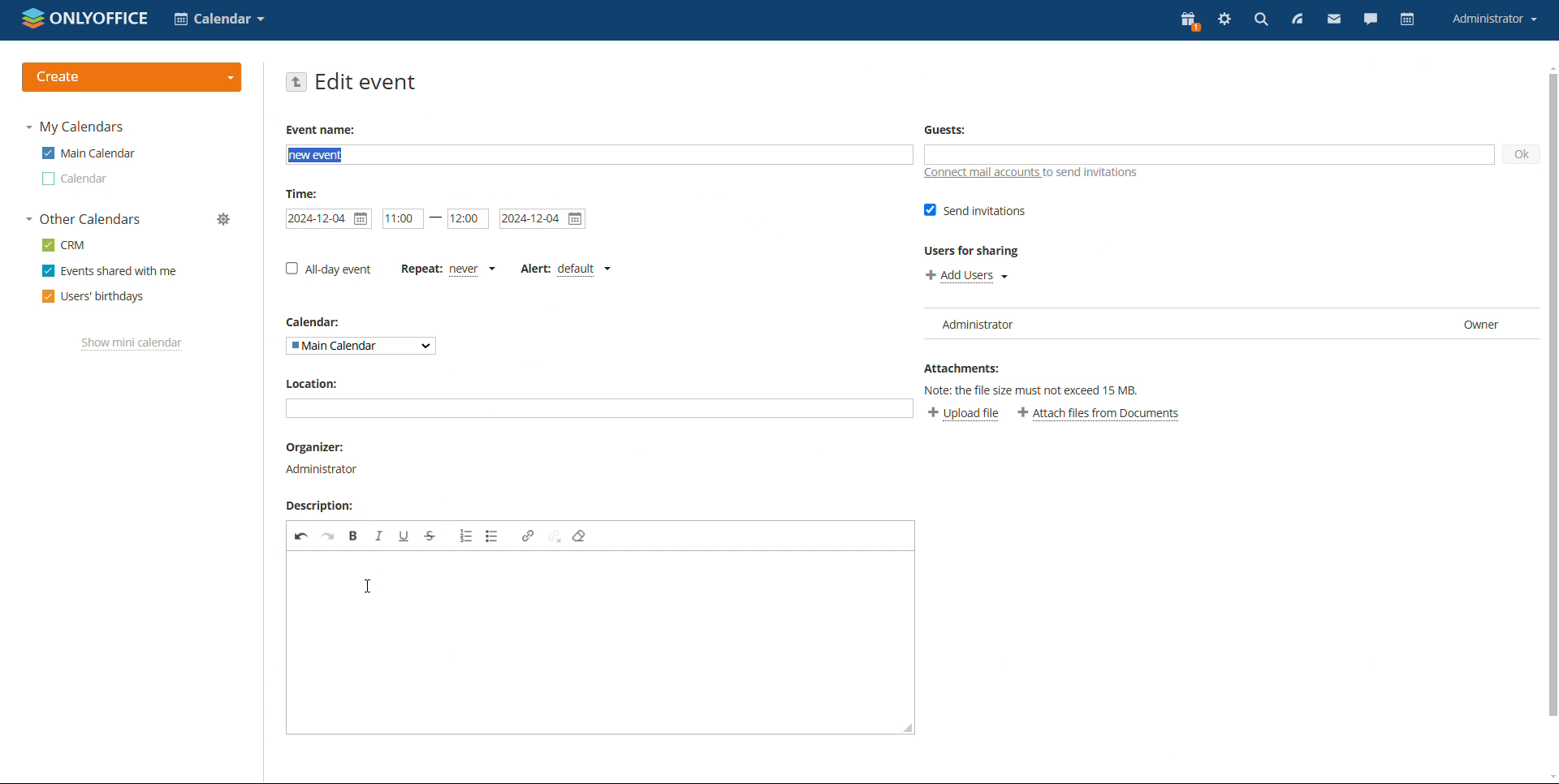 This screenshot has width=1559, height=784. Describe the element at coordinates (1333, 21) in the screenshot. I see `mail` at that location.